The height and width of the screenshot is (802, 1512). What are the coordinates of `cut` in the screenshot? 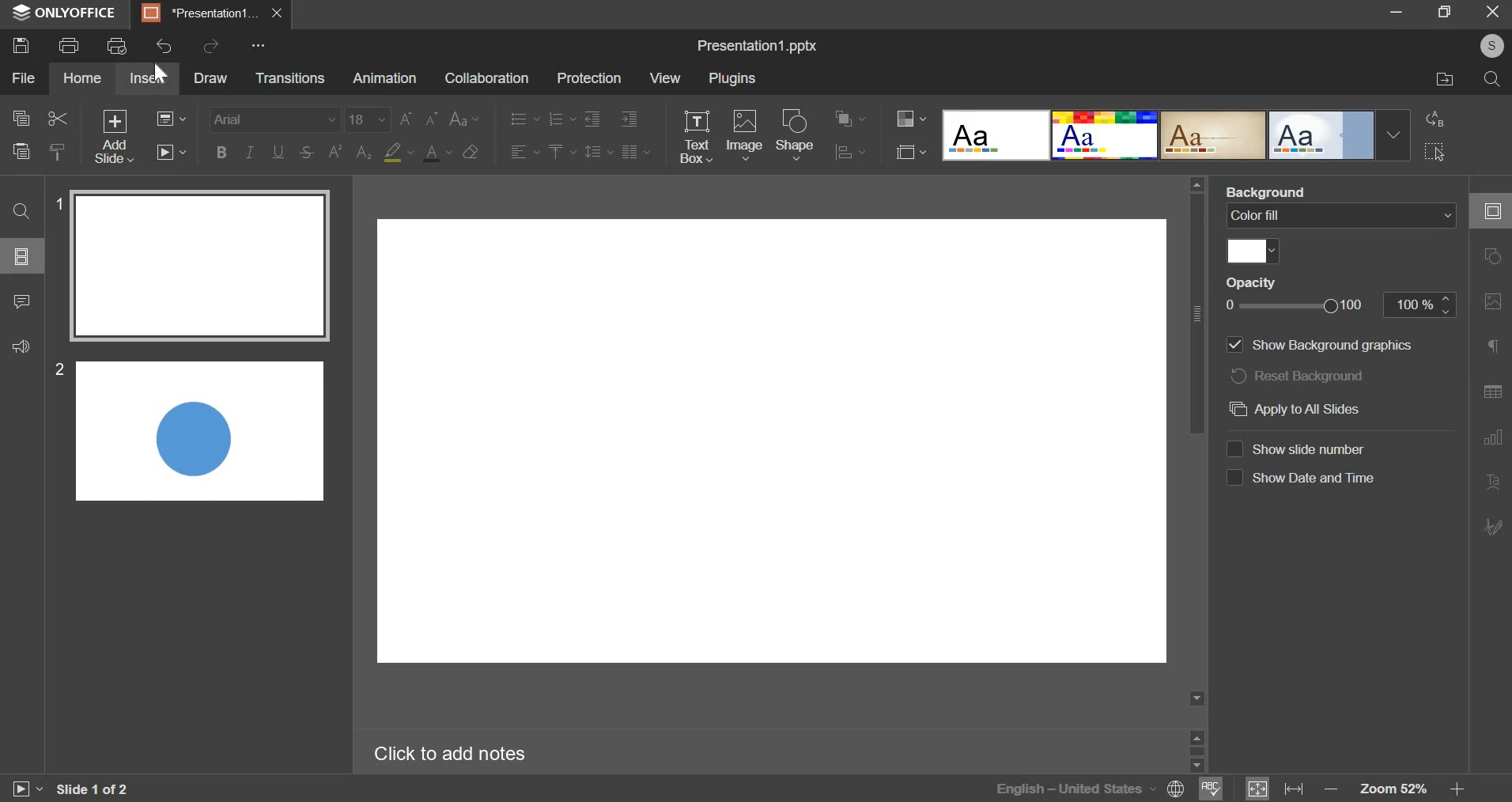 It's located at (59, 118).